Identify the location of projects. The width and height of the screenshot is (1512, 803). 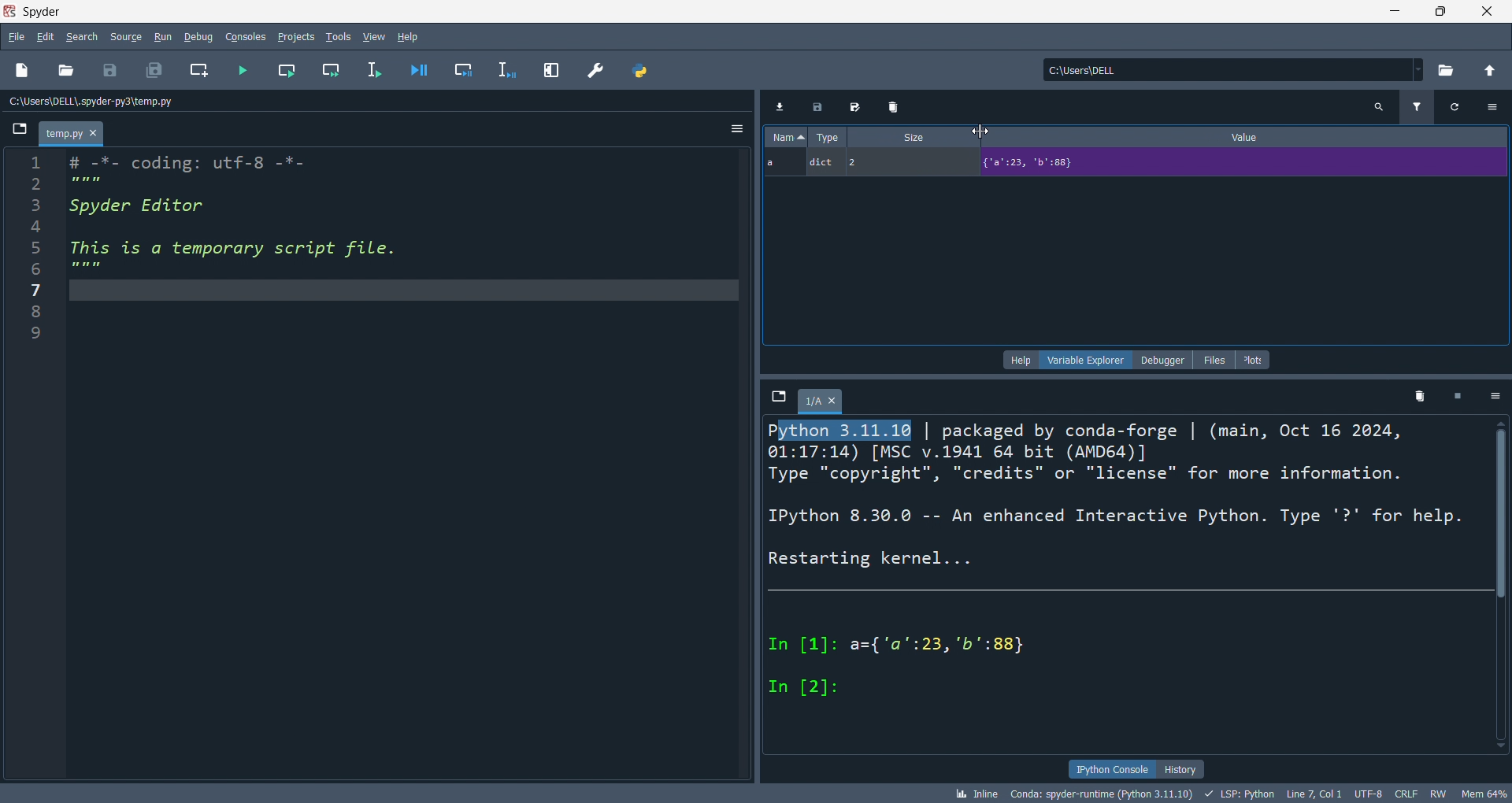
(291, 35).